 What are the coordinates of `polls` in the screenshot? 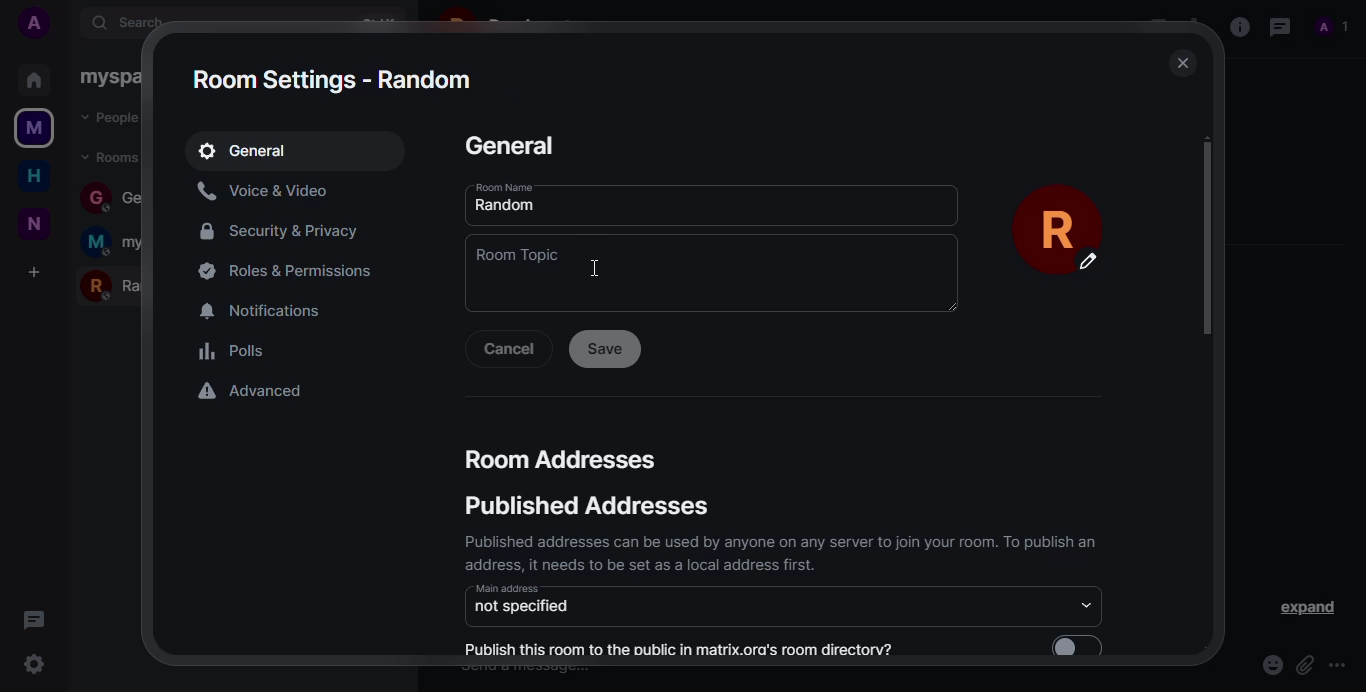 It's located at (231, 351).